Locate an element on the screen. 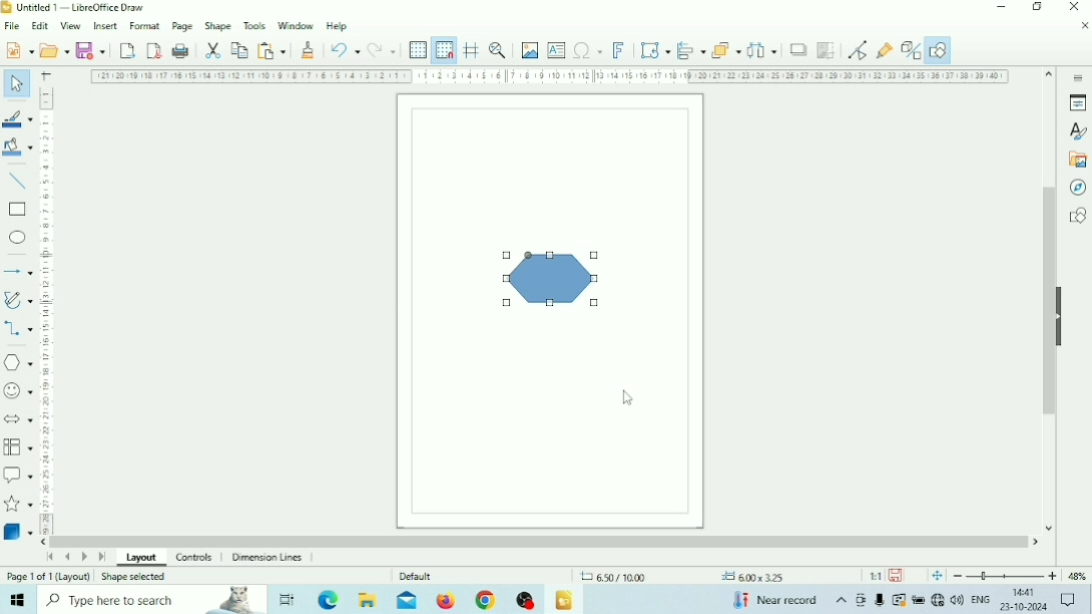 The image size is (1092, 614). Undo is located at coordinates (345, 50).